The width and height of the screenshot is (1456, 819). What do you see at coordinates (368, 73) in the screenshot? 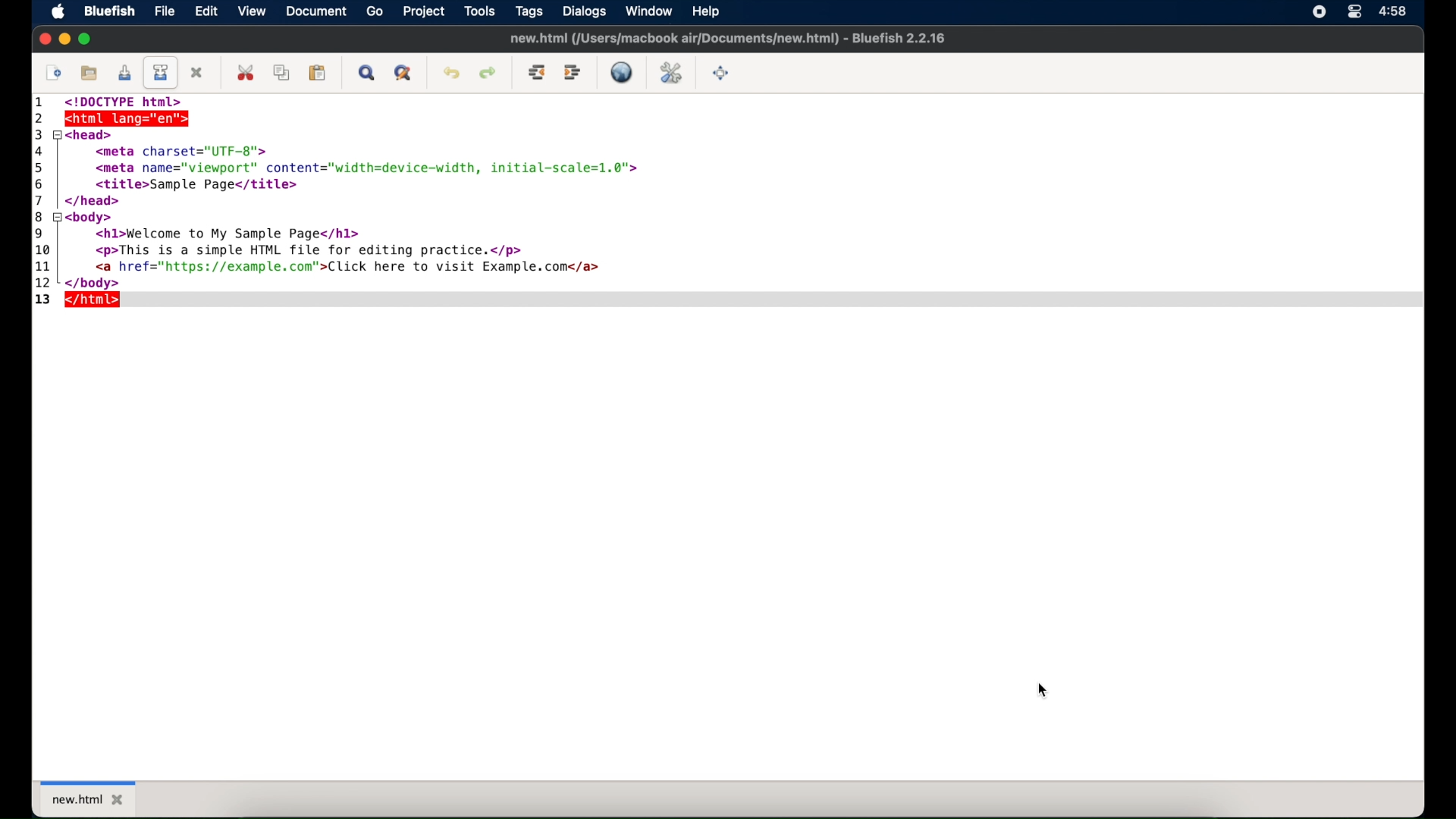
I see `show find bar` at bounding box center [368, 73].